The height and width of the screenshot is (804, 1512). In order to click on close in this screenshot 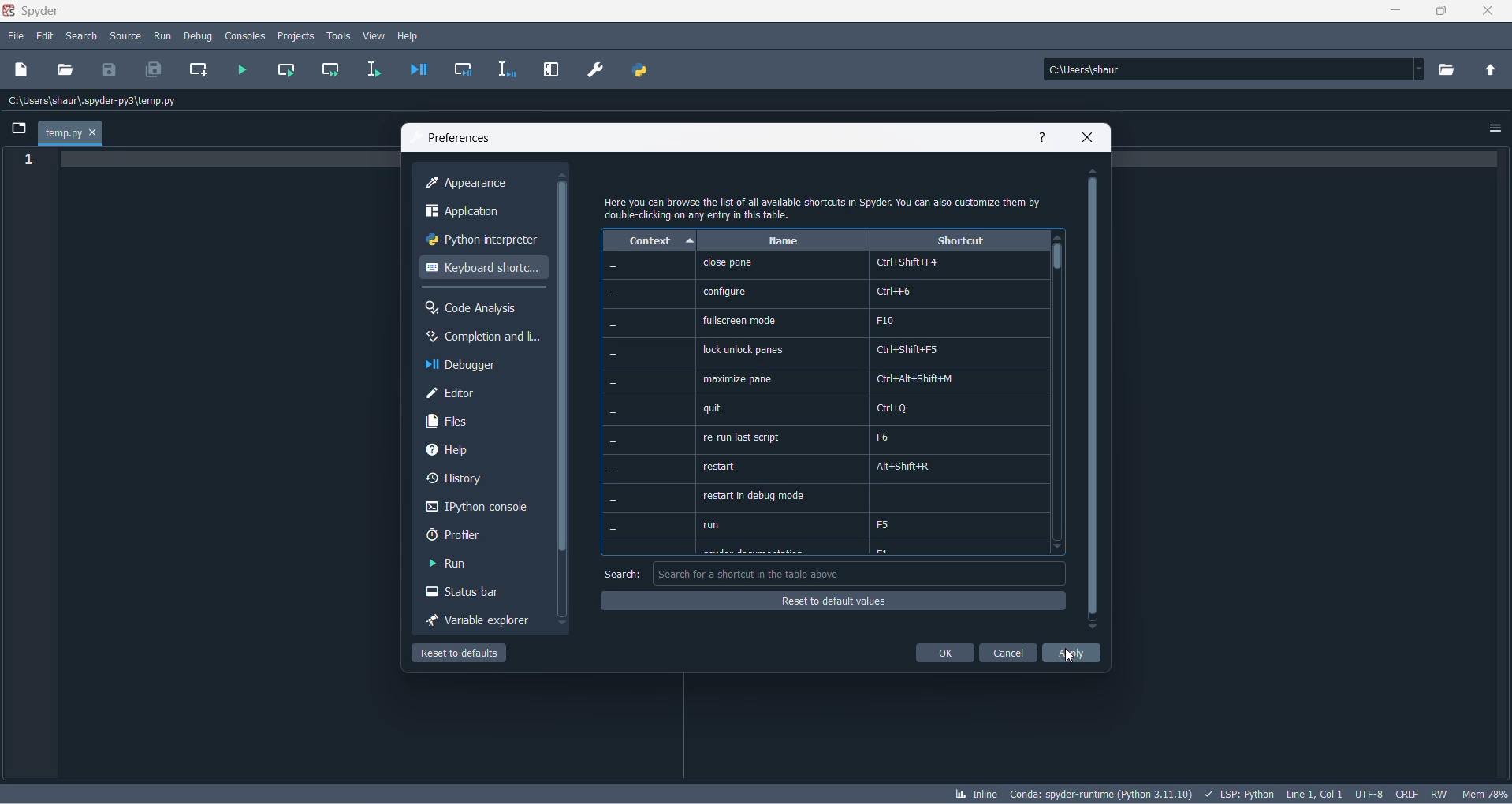, I will do `click(1089, 139)`.